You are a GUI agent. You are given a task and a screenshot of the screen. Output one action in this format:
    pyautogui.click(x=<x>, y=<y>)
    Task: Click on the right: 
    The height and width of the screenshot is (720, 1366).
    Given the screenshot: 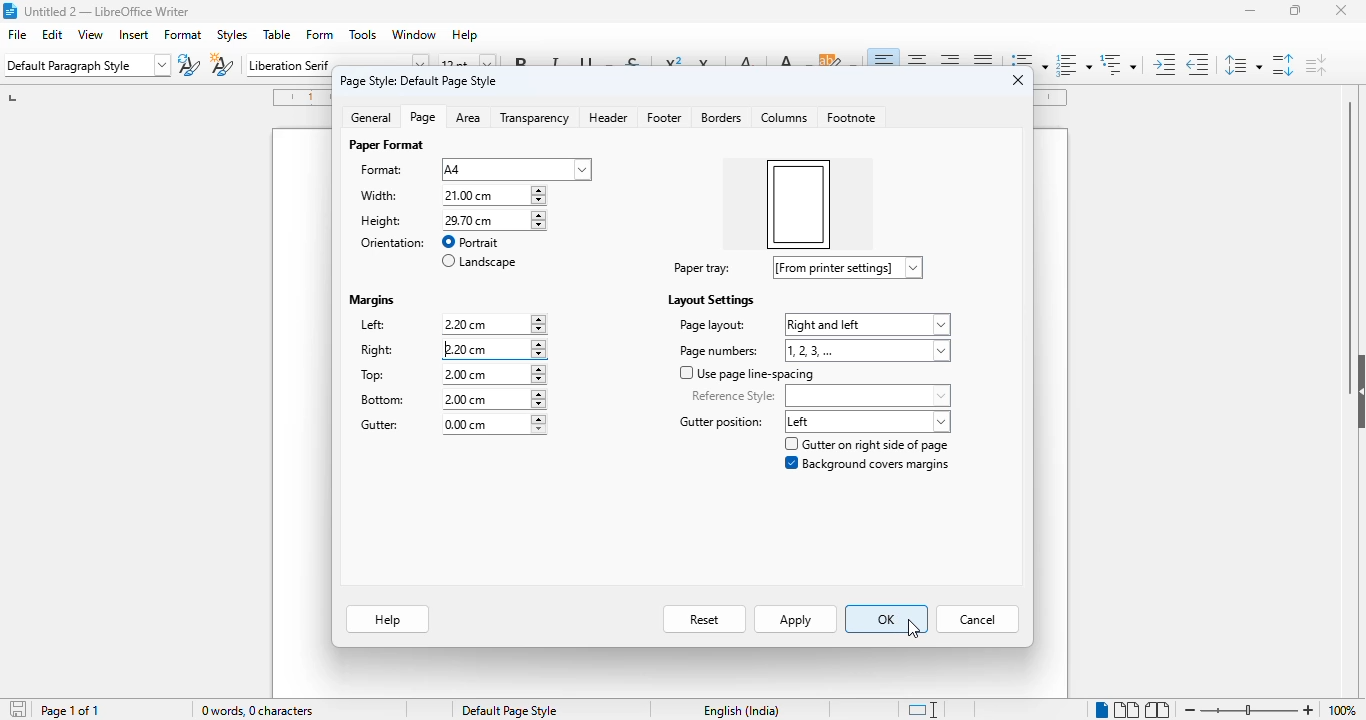 What is the action you would take?
    pyautogui.click(x=377, y=349)
    